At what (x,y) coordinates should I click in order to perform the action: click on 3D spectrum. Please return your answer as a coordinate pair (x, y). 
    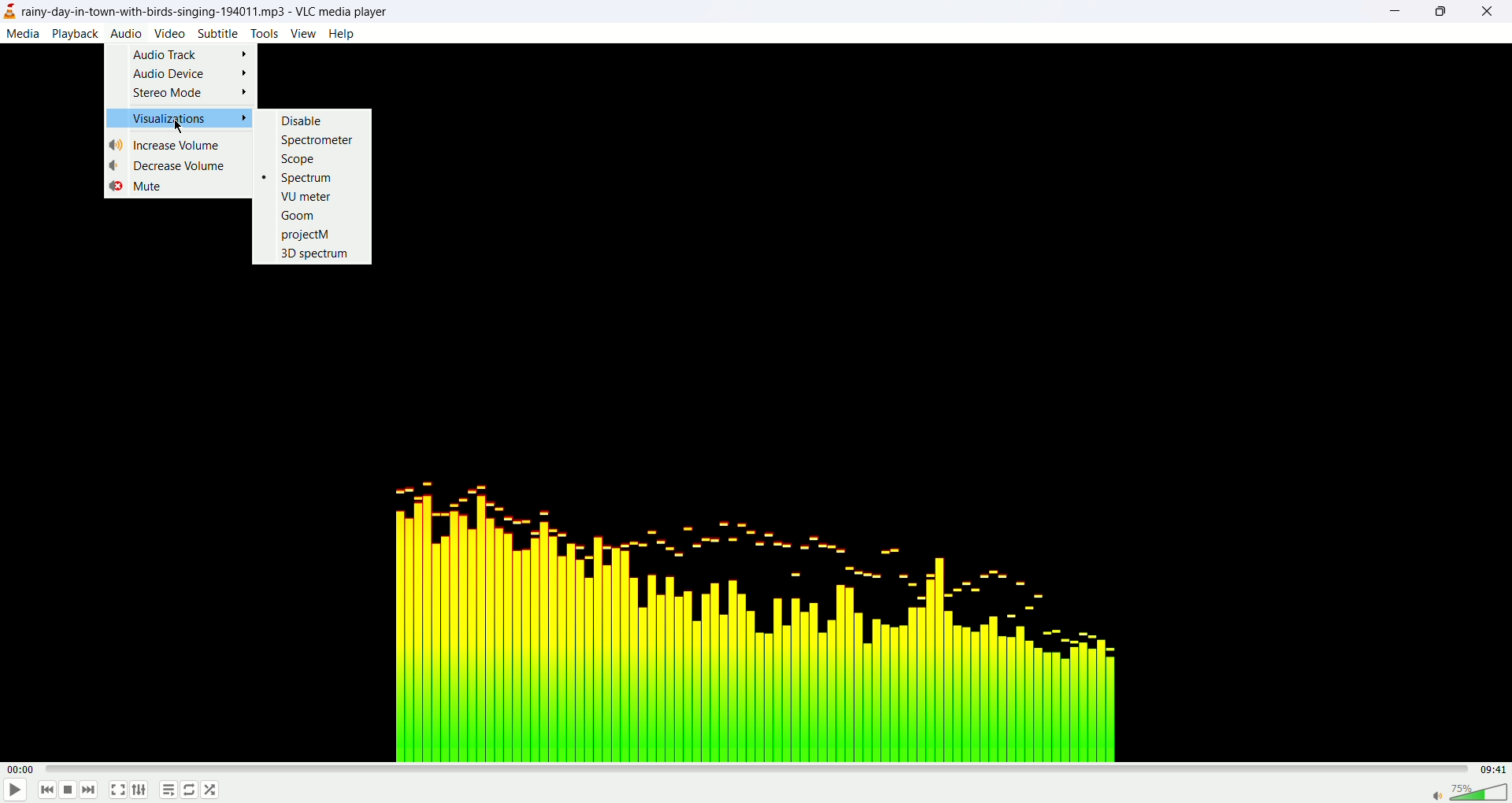
    Looking at the image, I should click on (317, 253).